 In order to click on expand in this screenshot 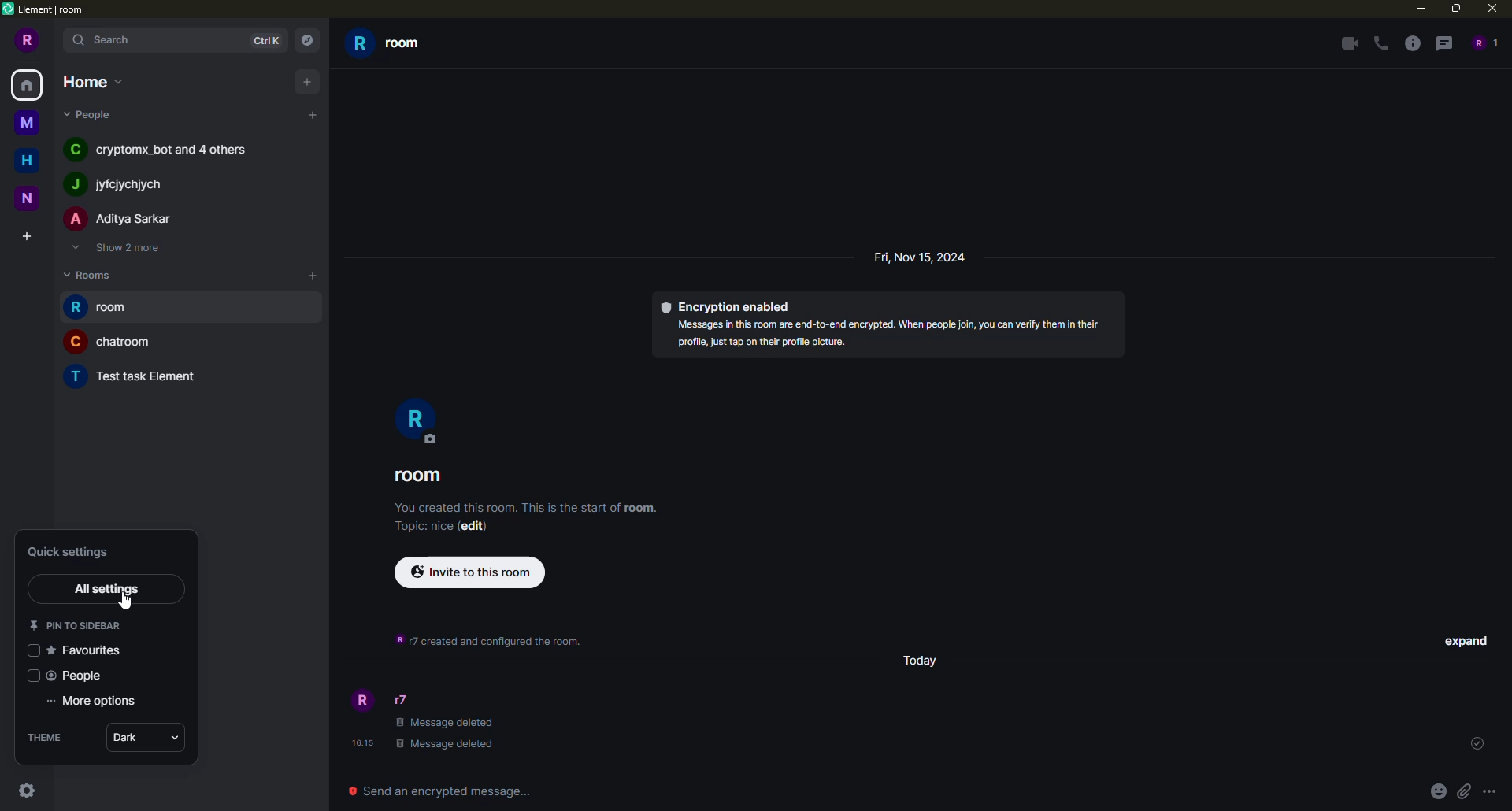, I will do `click(57, 41)`.